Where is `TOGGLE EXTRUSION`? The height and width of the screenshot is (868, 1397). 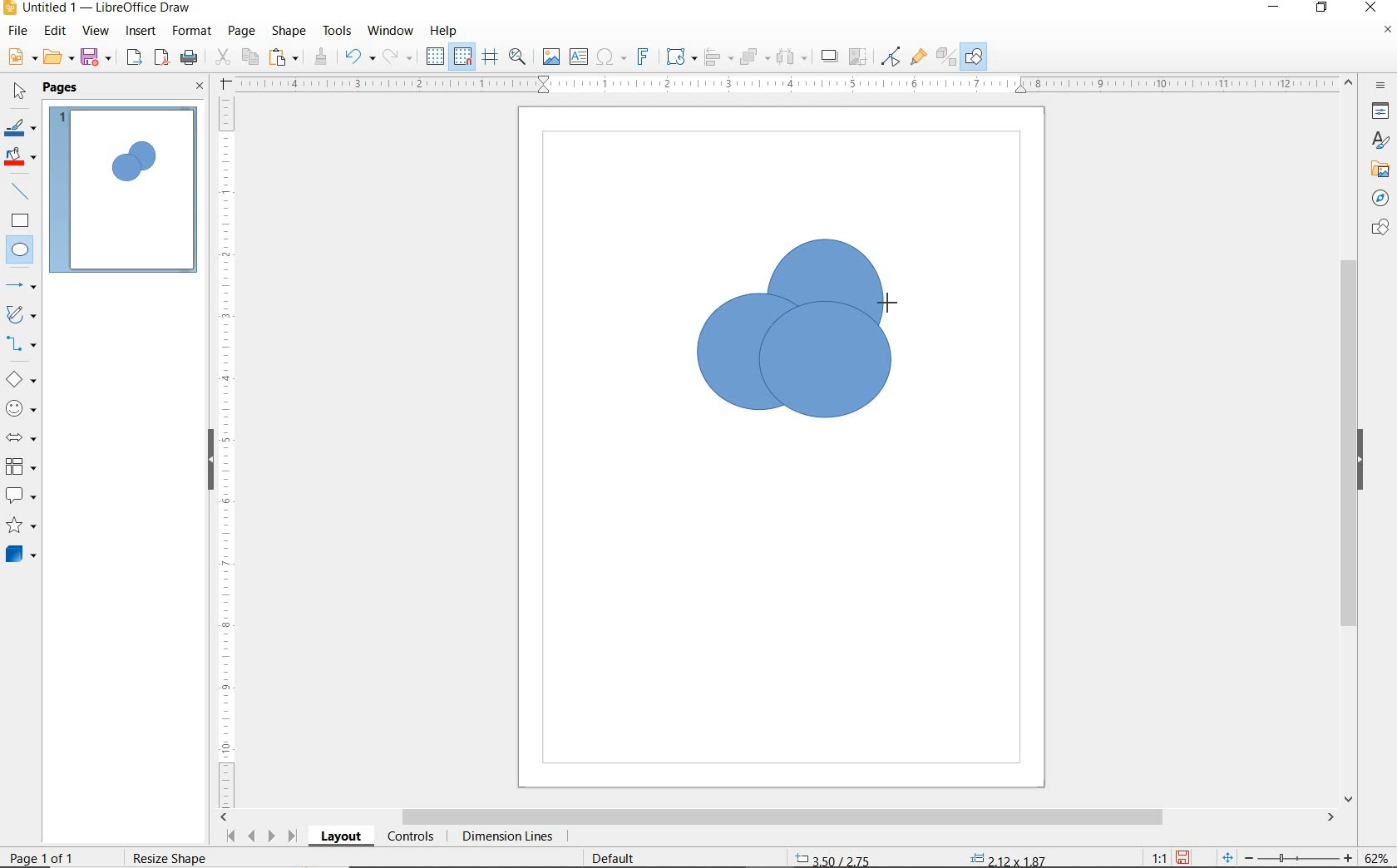 TOGGLE EXTRUSION is located at coordinates (946, 58).